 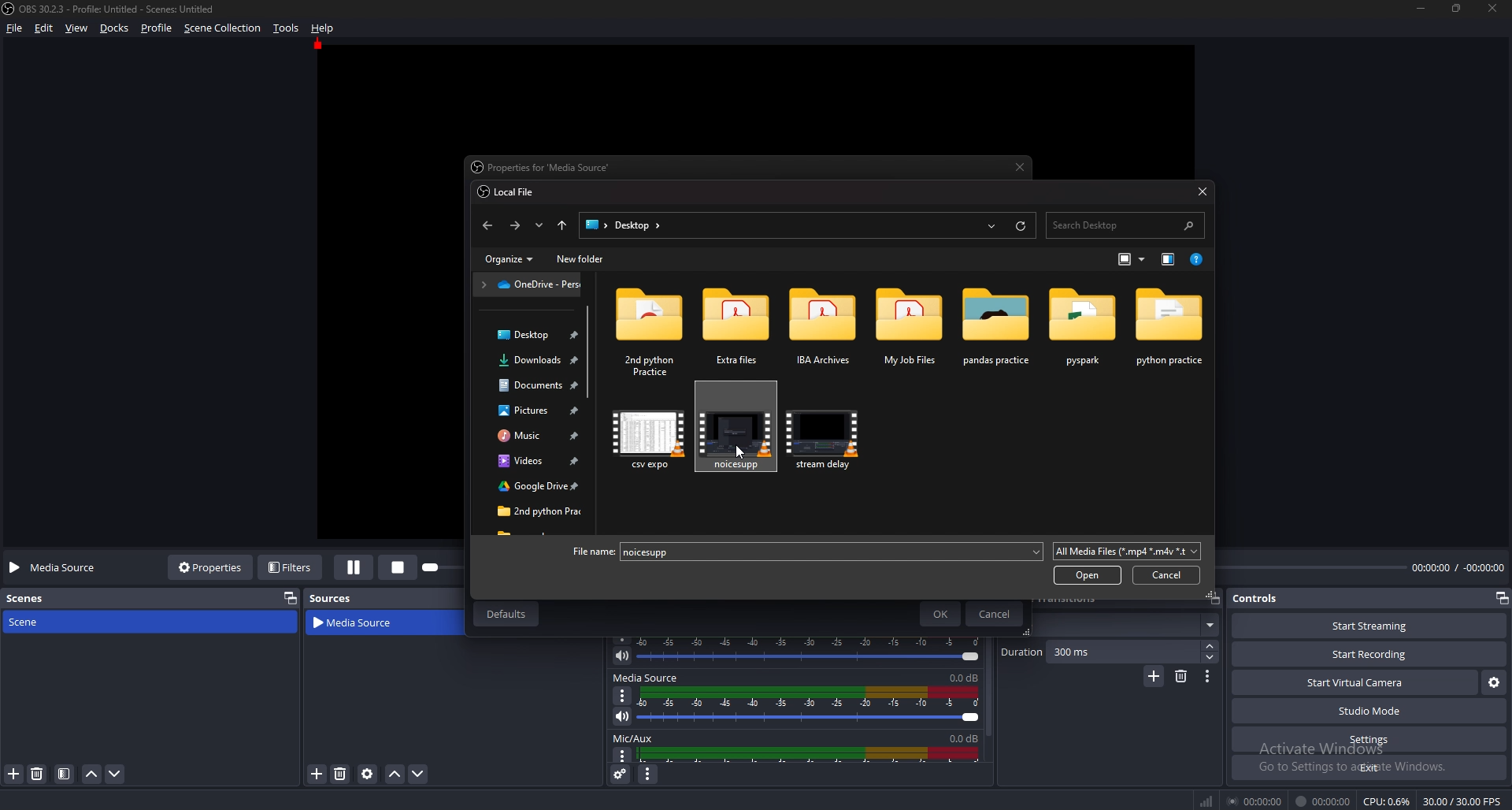 I want to click on folder, so click(x=911, y=326).